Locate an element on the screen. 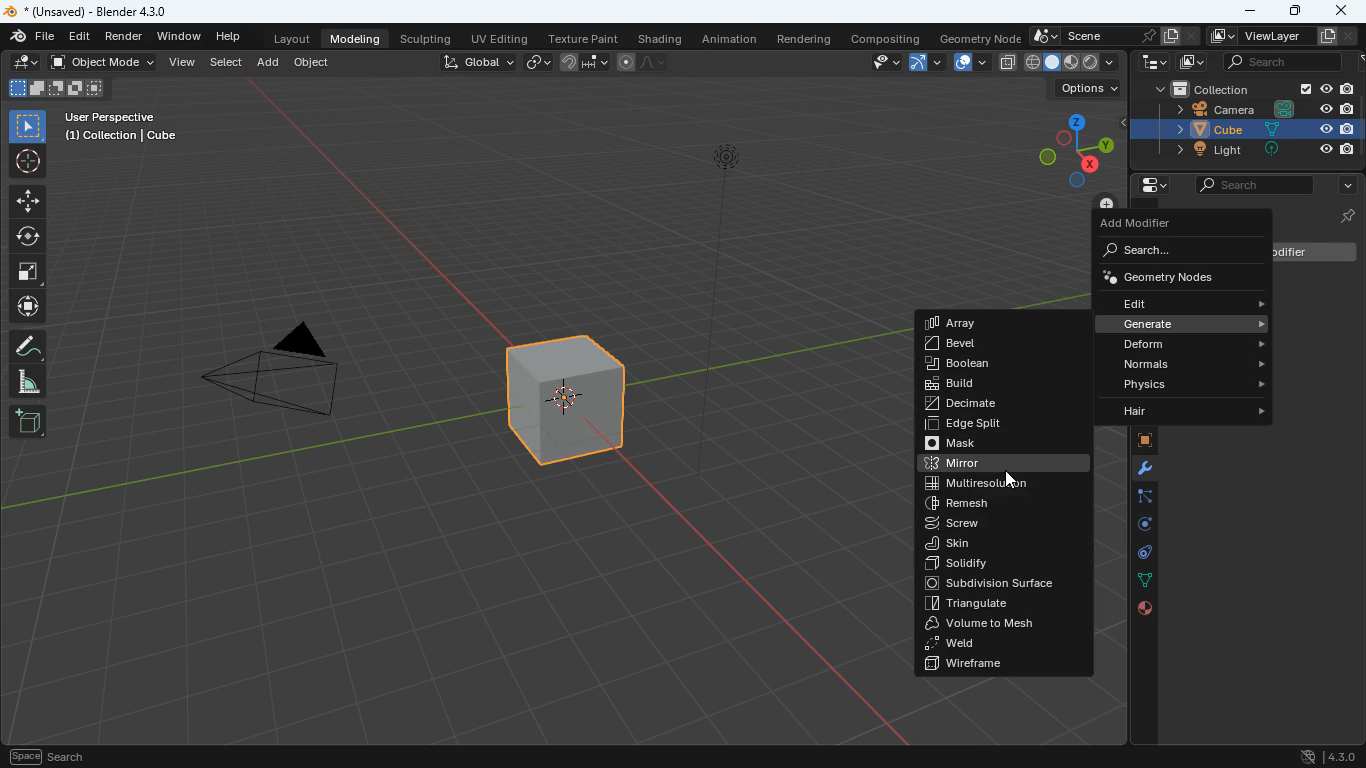 Image resolution: width=1366 pixels, height=768 pixels. overlap is located at coordinates (966, 63).